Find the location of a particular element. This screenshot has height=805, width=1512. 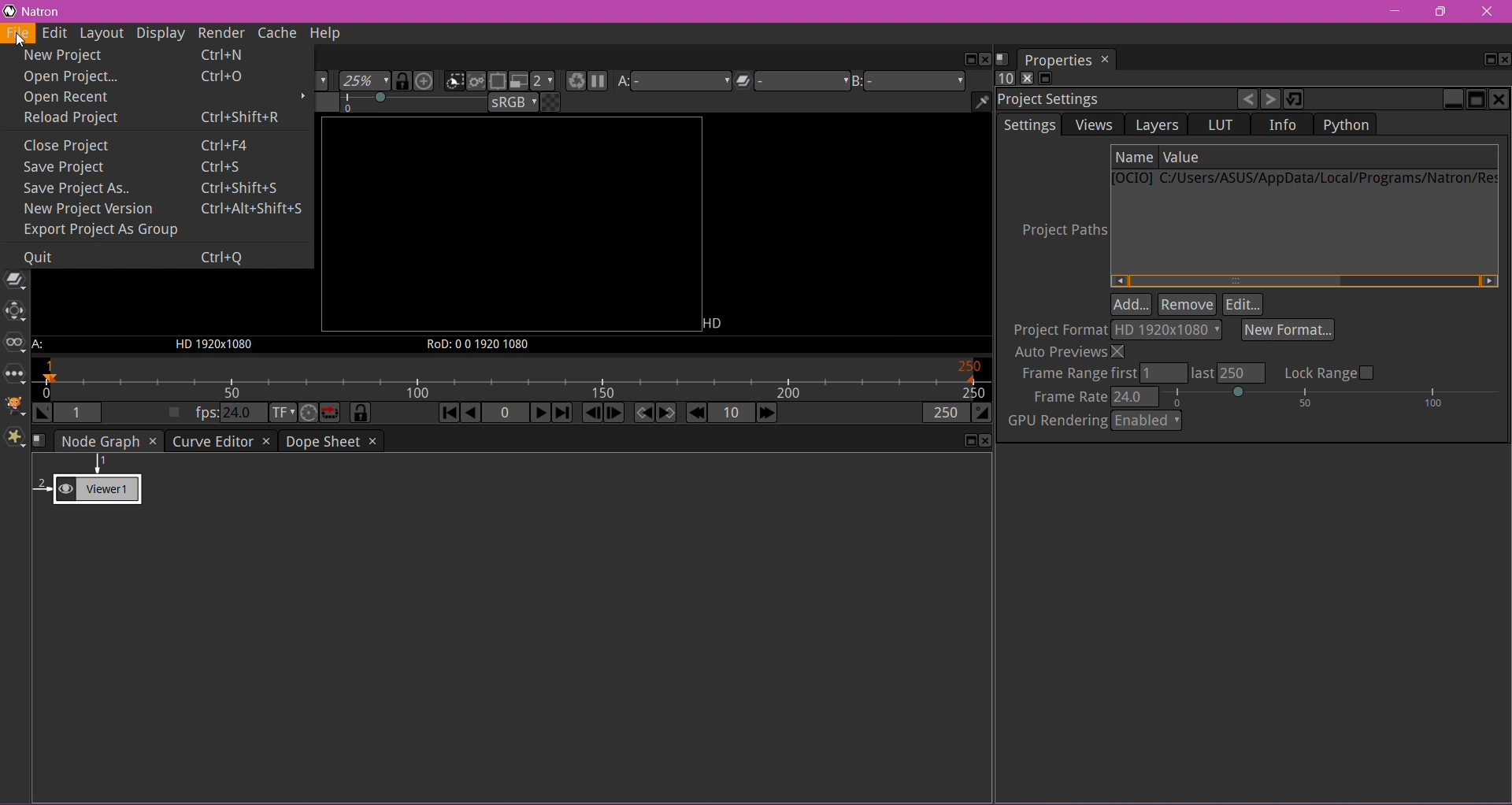

When unchecked, the playback framerate is automatically set from the Viewer A Input. When checked, the user setting in used the user   is located at coordinates (172, 414).